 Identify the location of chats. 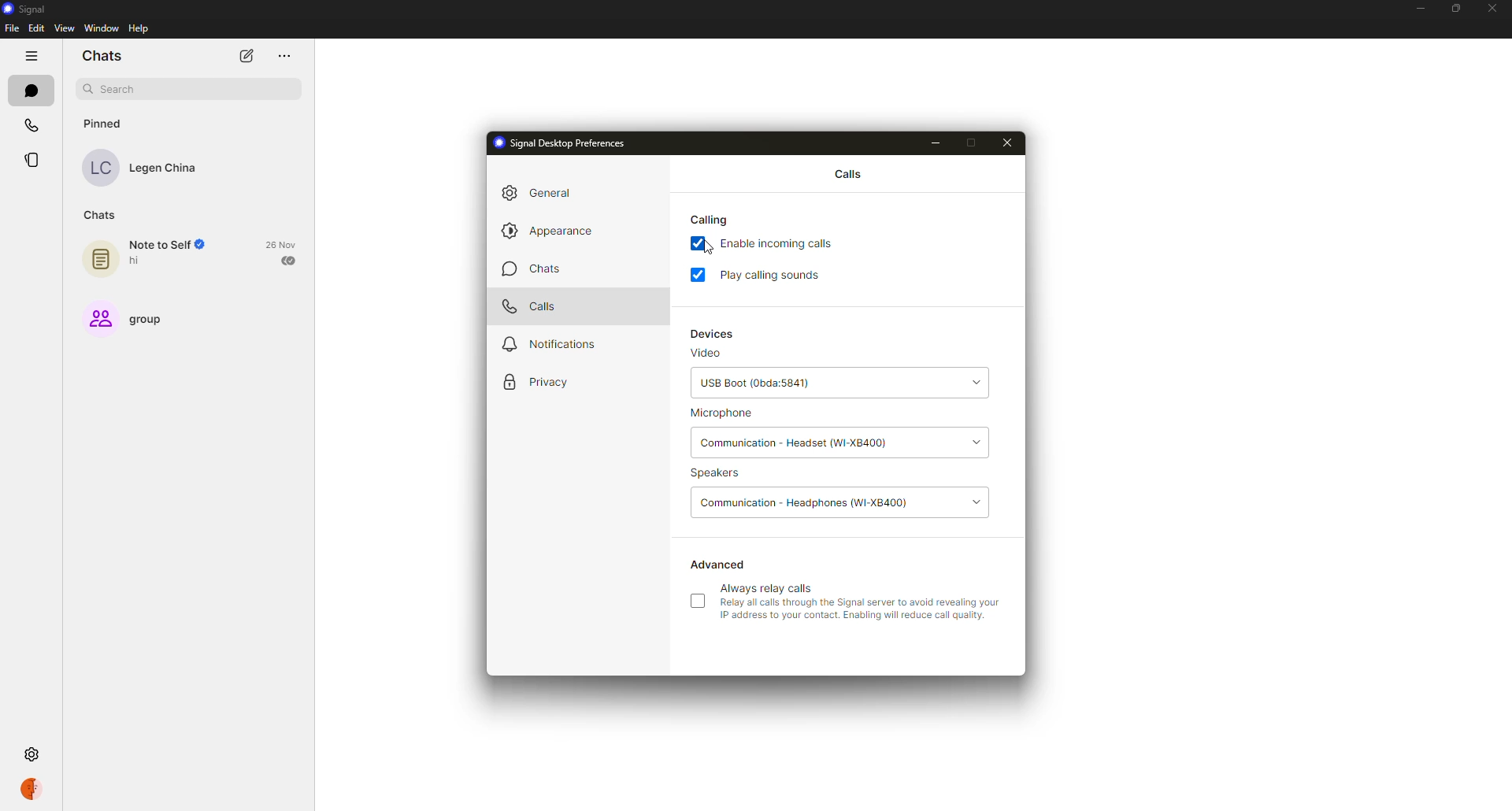
(540, 270).